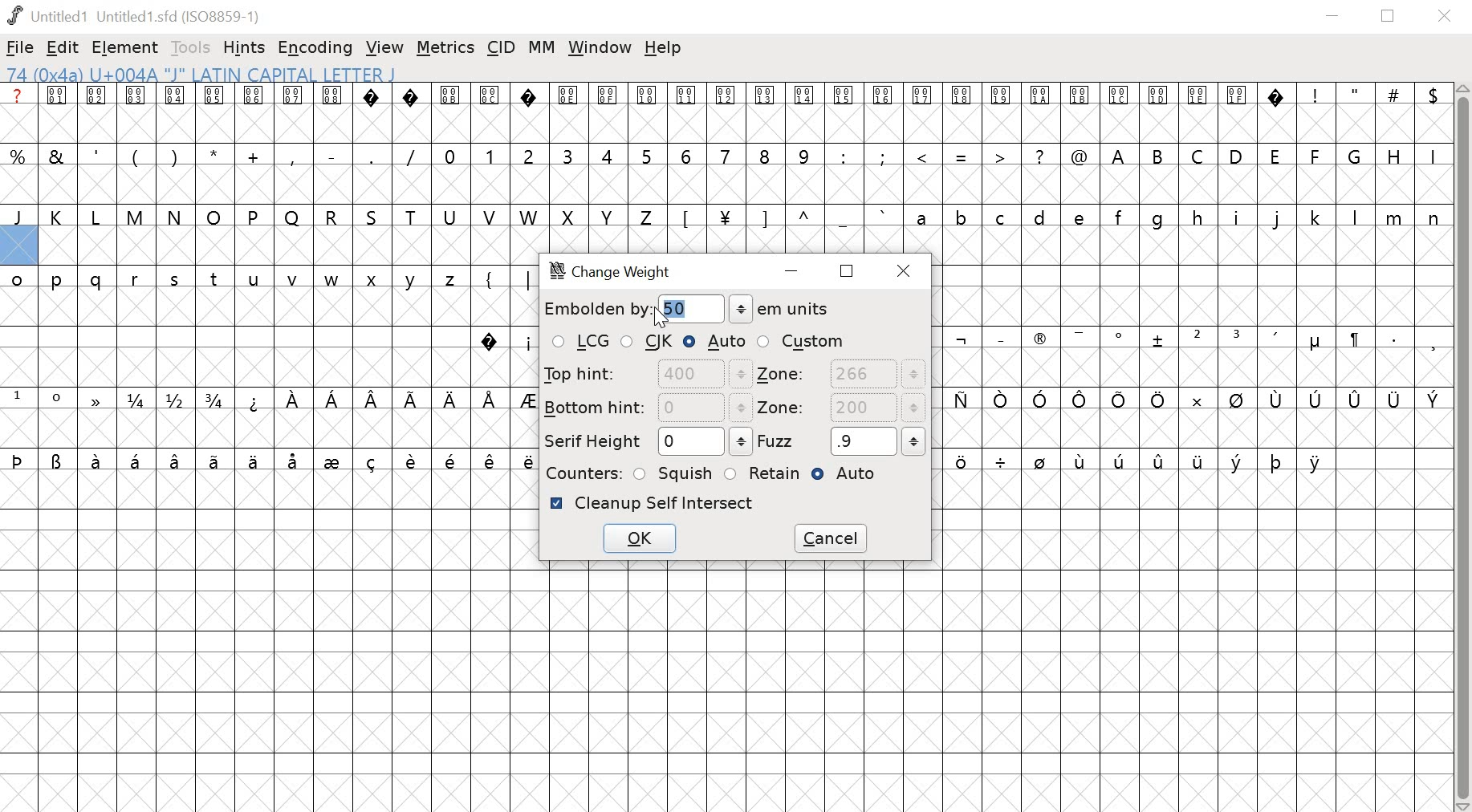  I want to click on minimize, so click(795, 273).